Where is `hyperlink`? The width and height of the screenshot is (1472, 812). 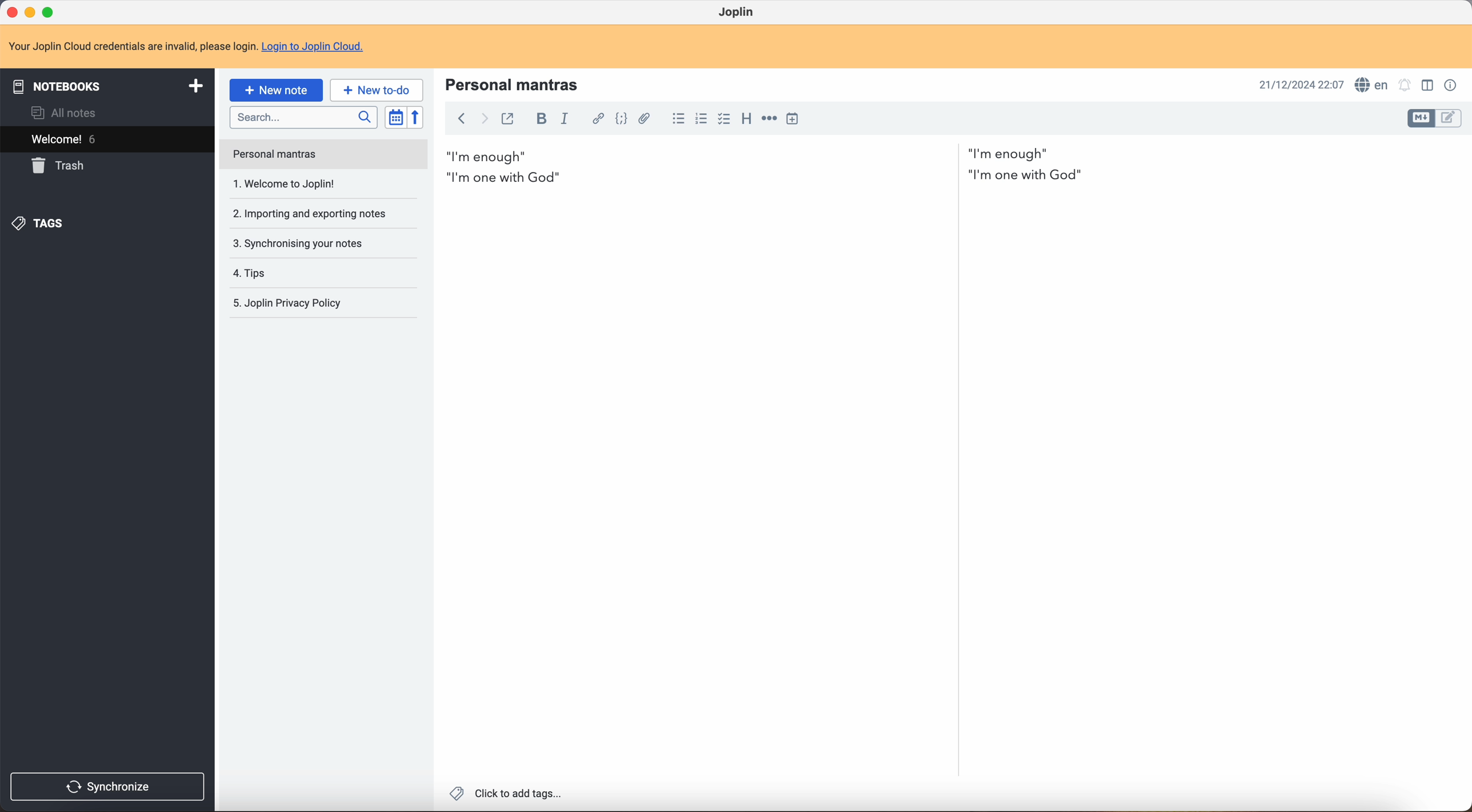
hyperlink is located at coordinates (597, 119).